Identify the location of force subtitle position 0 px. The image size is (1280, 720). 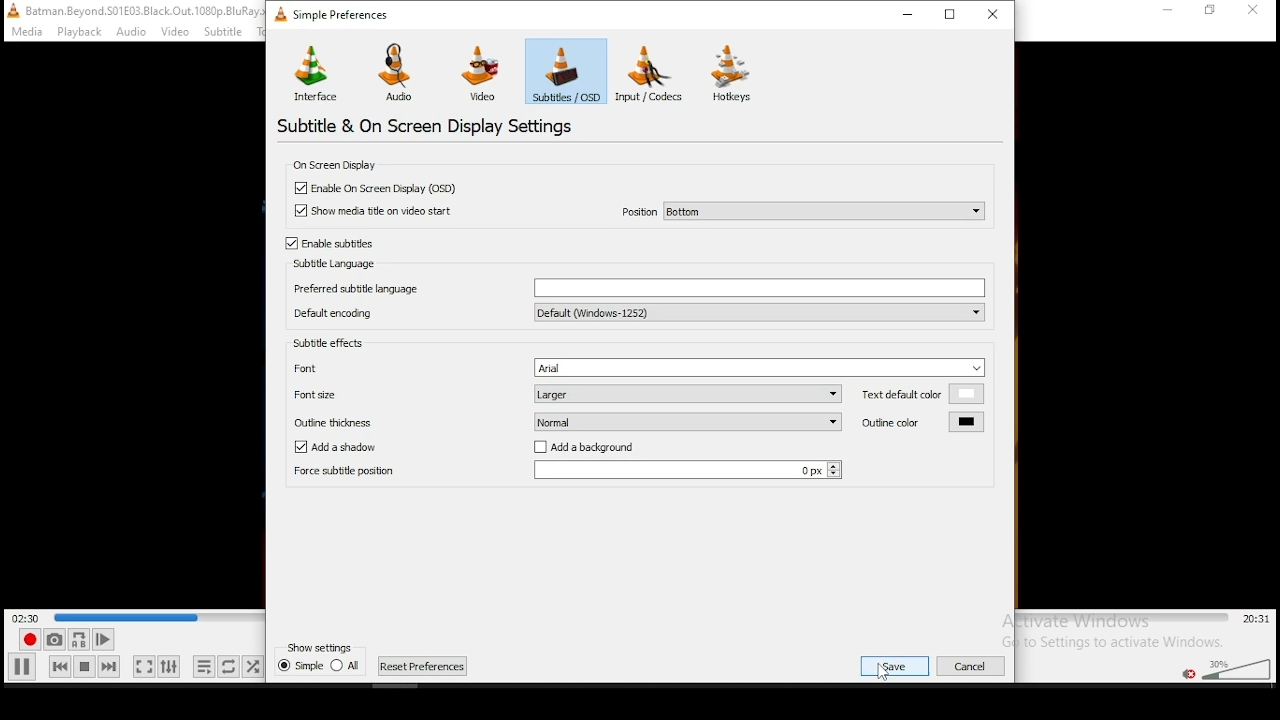
(565, 470).